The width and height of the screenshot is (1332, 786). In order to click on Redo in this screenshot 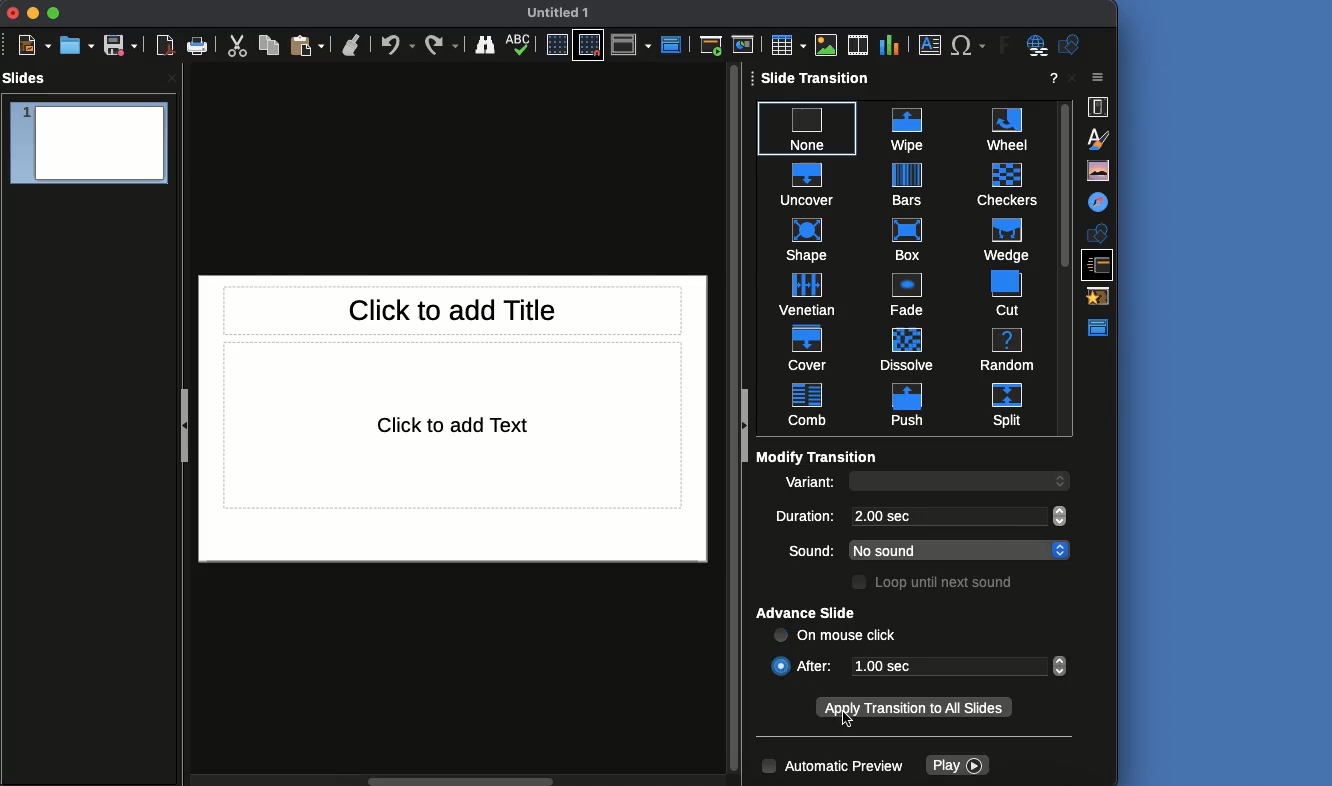, I will do `click(442, 44)`.